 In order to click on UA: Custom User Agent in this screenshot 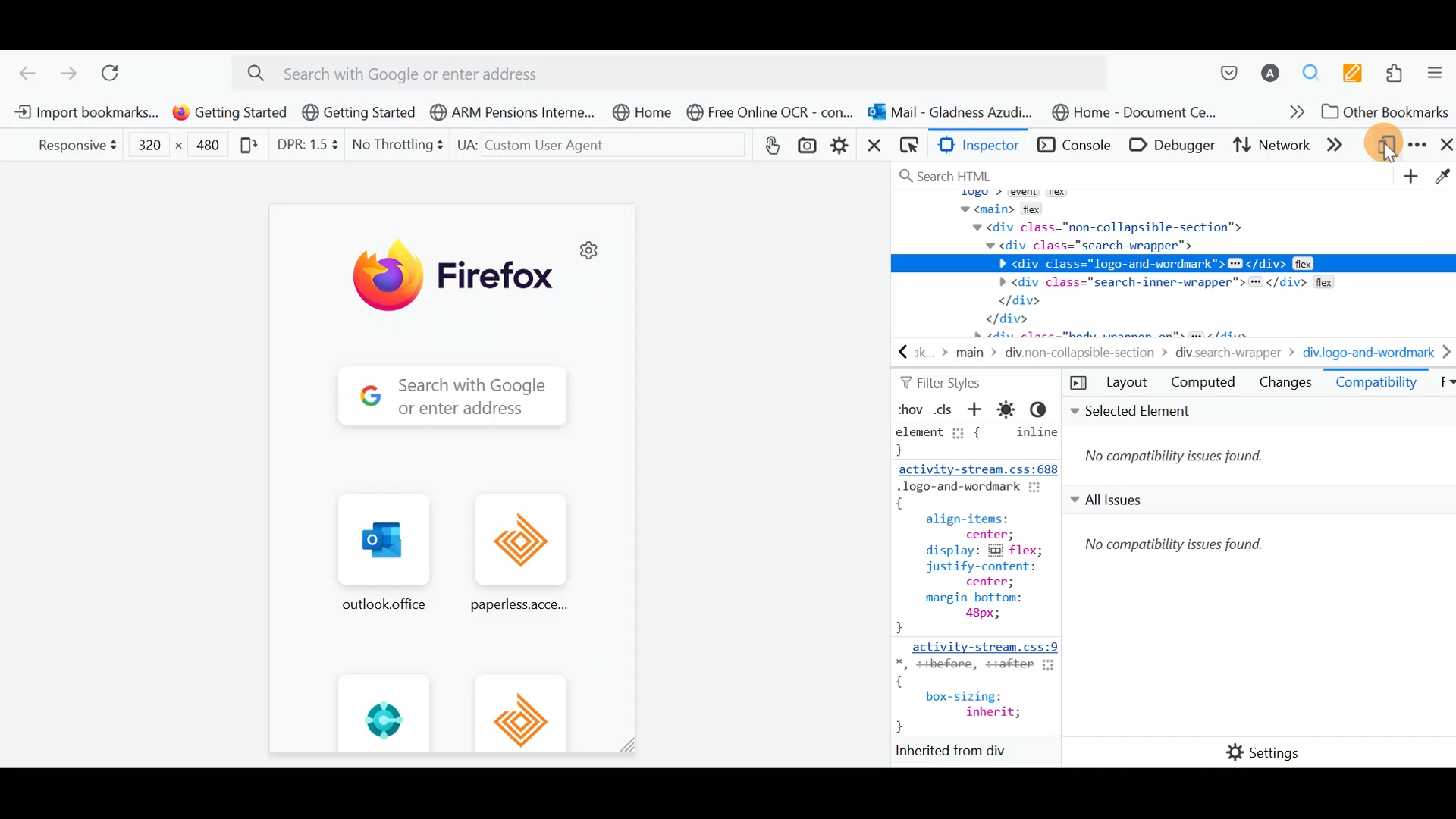, I will do `click(582, 144)`.